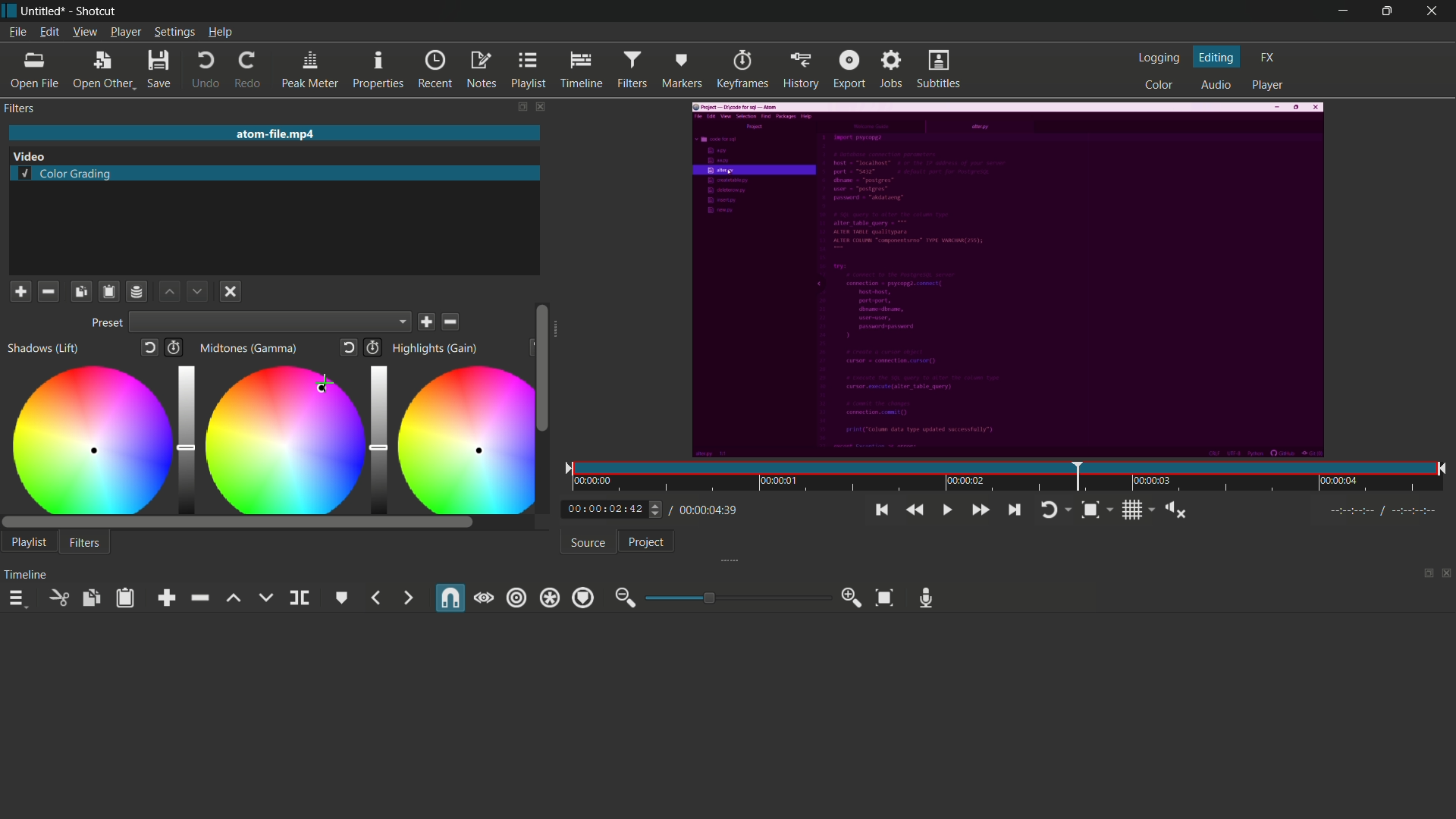  I want to click on player menu, so click(125, 32).